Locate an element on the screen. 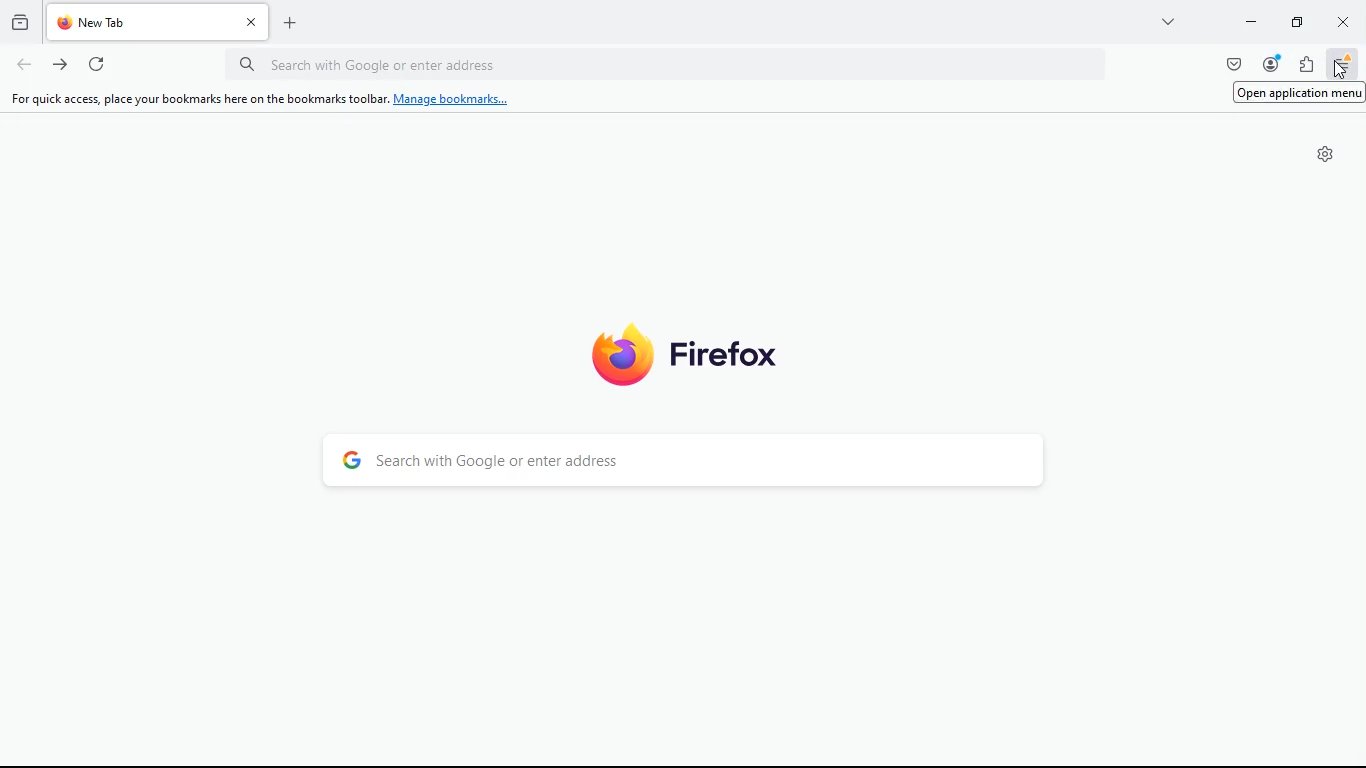 This screenshot has width=1366, height=768. menu is located at coordinates (1344, 65).